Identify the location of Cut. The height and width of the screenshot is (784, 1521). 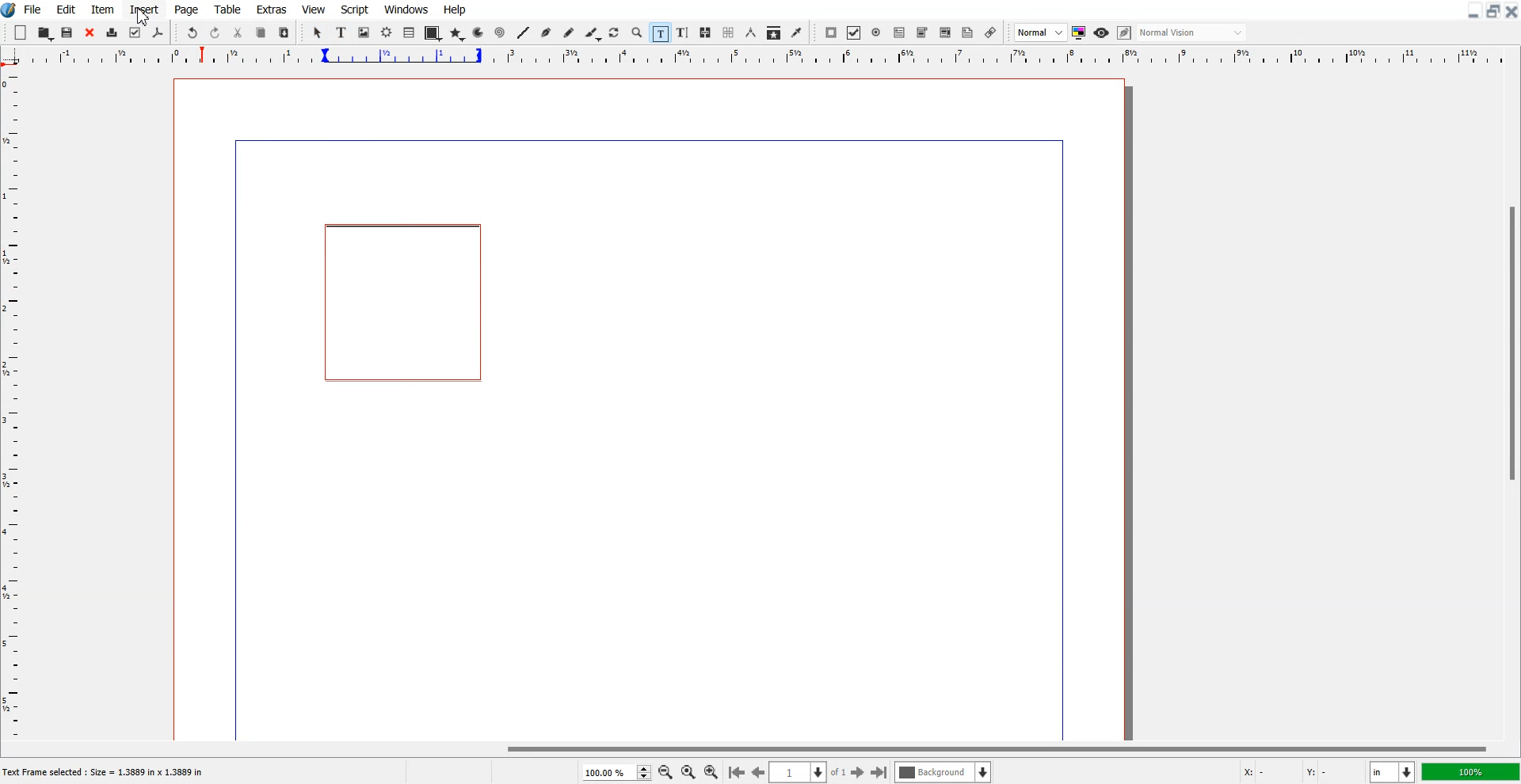
(238, 32).